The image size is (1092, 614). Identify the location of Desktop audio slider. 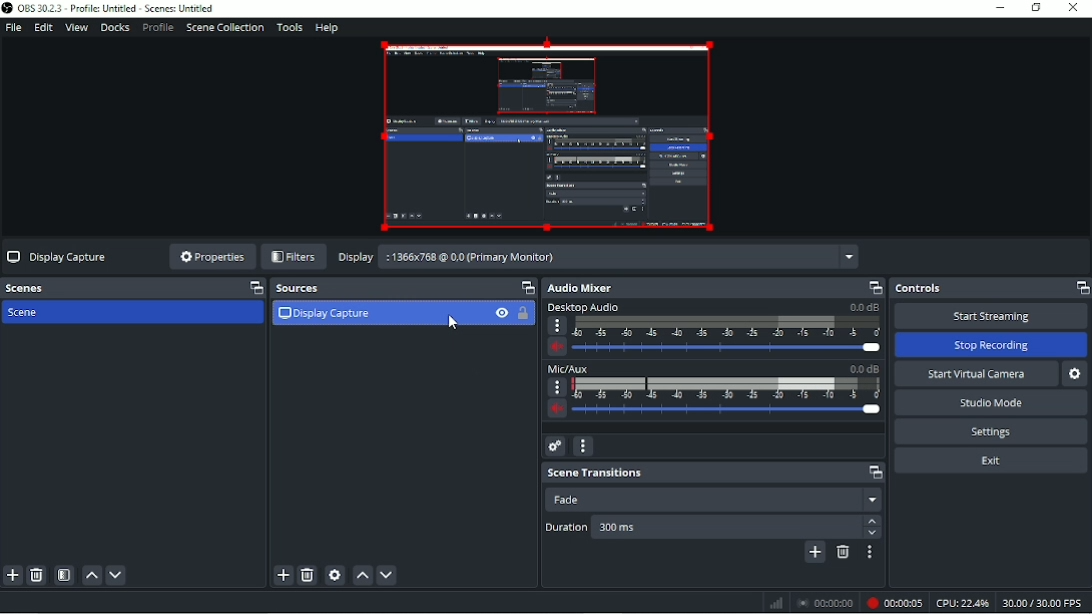
(713, 330).